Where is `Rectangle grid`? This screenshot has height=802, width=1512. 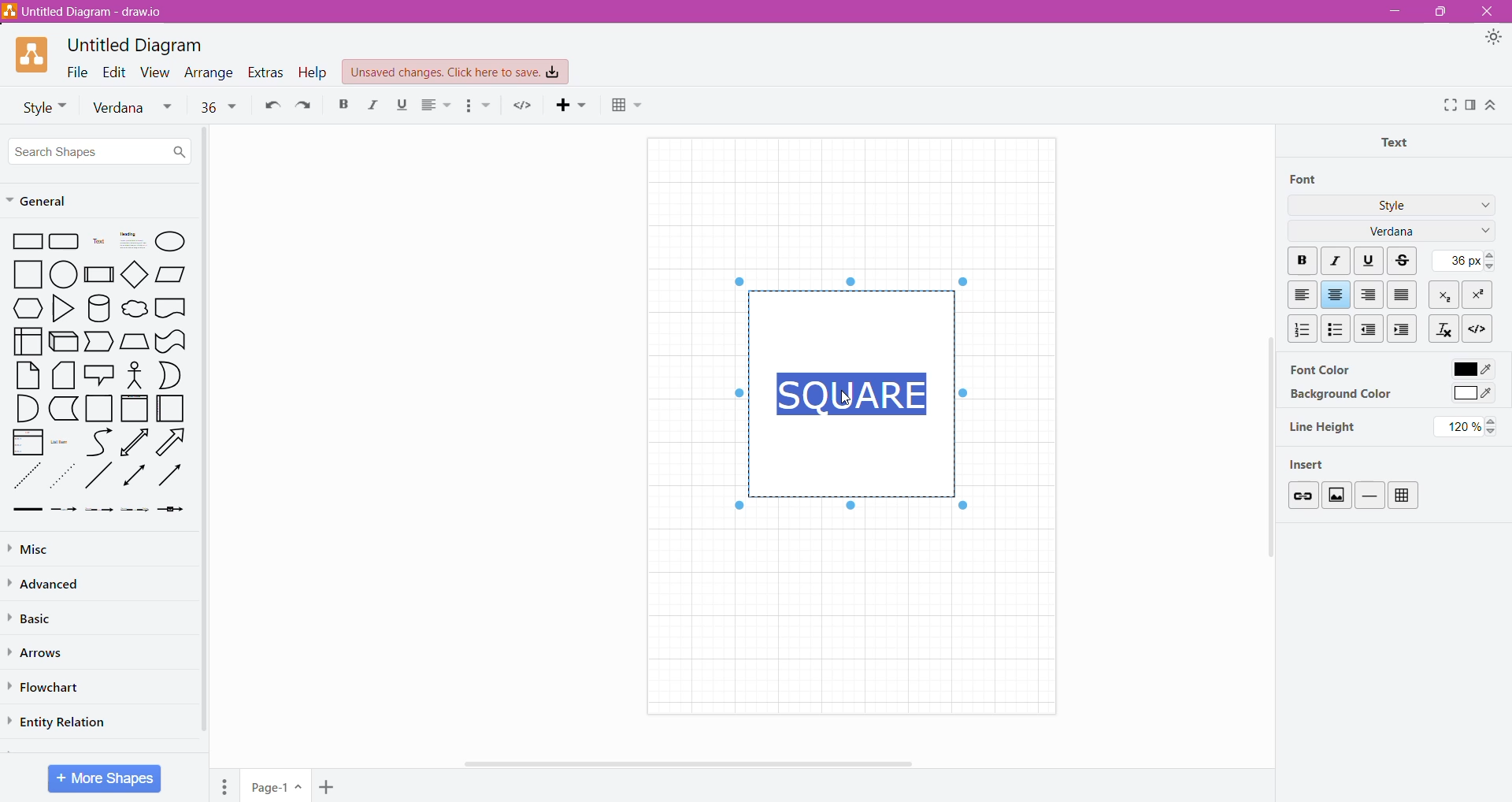
Rectangle grid is located at coordinates (66, 240).